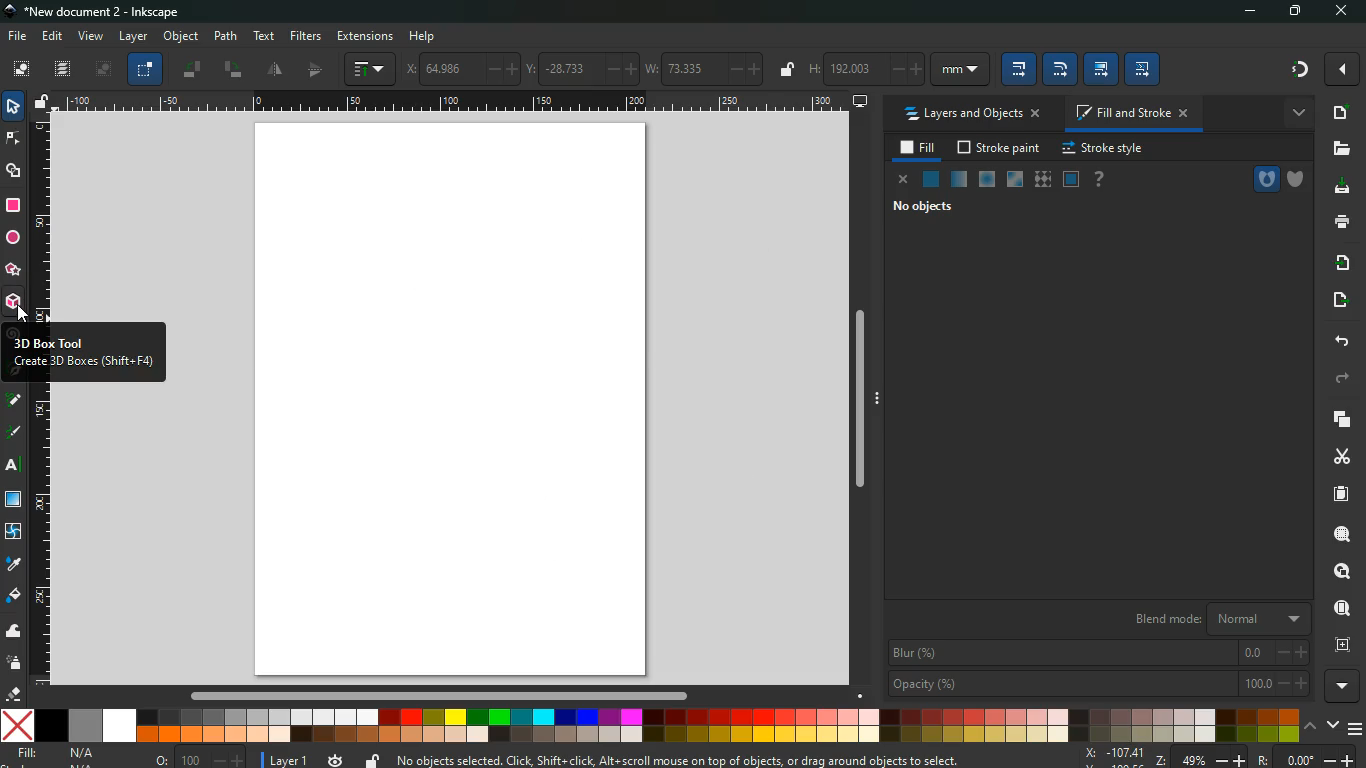 The width and height of the screenshot is (1366, 768). I want to click on o, so click(196, 758).